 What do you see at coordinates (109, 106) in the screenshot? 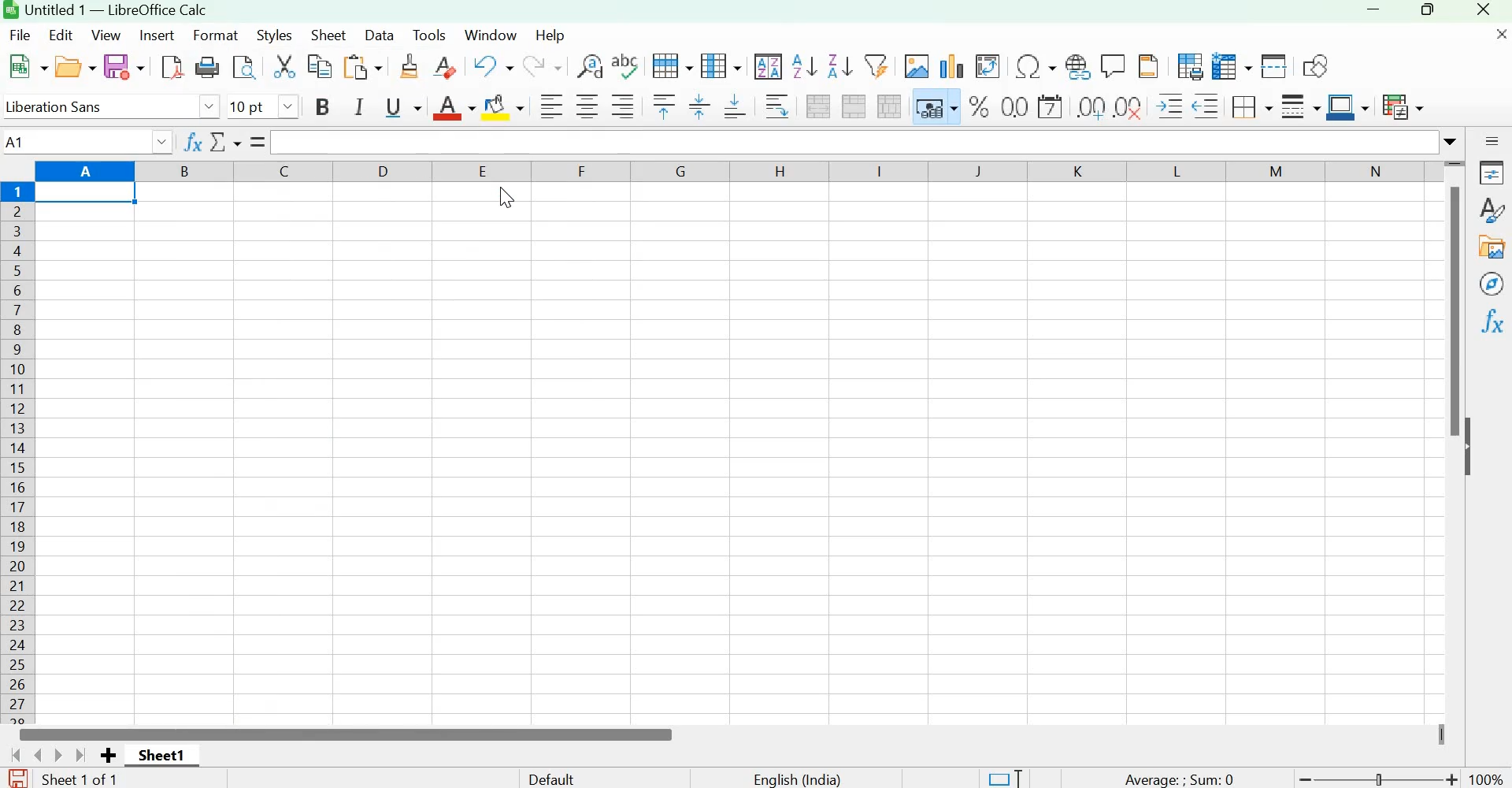
I see `Font name` at bounding box center [109, 106].